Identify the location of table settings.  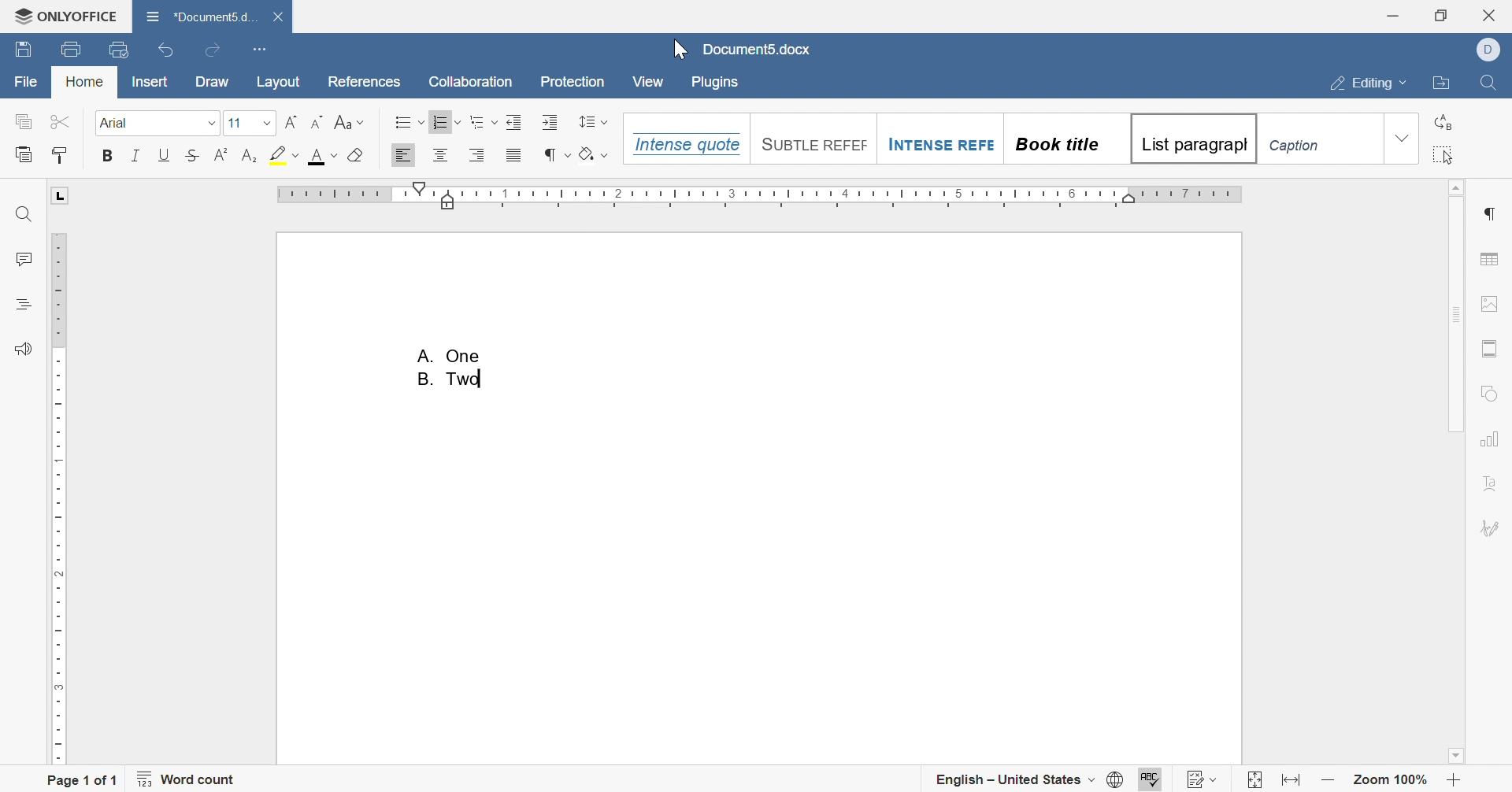
(1489, 259).